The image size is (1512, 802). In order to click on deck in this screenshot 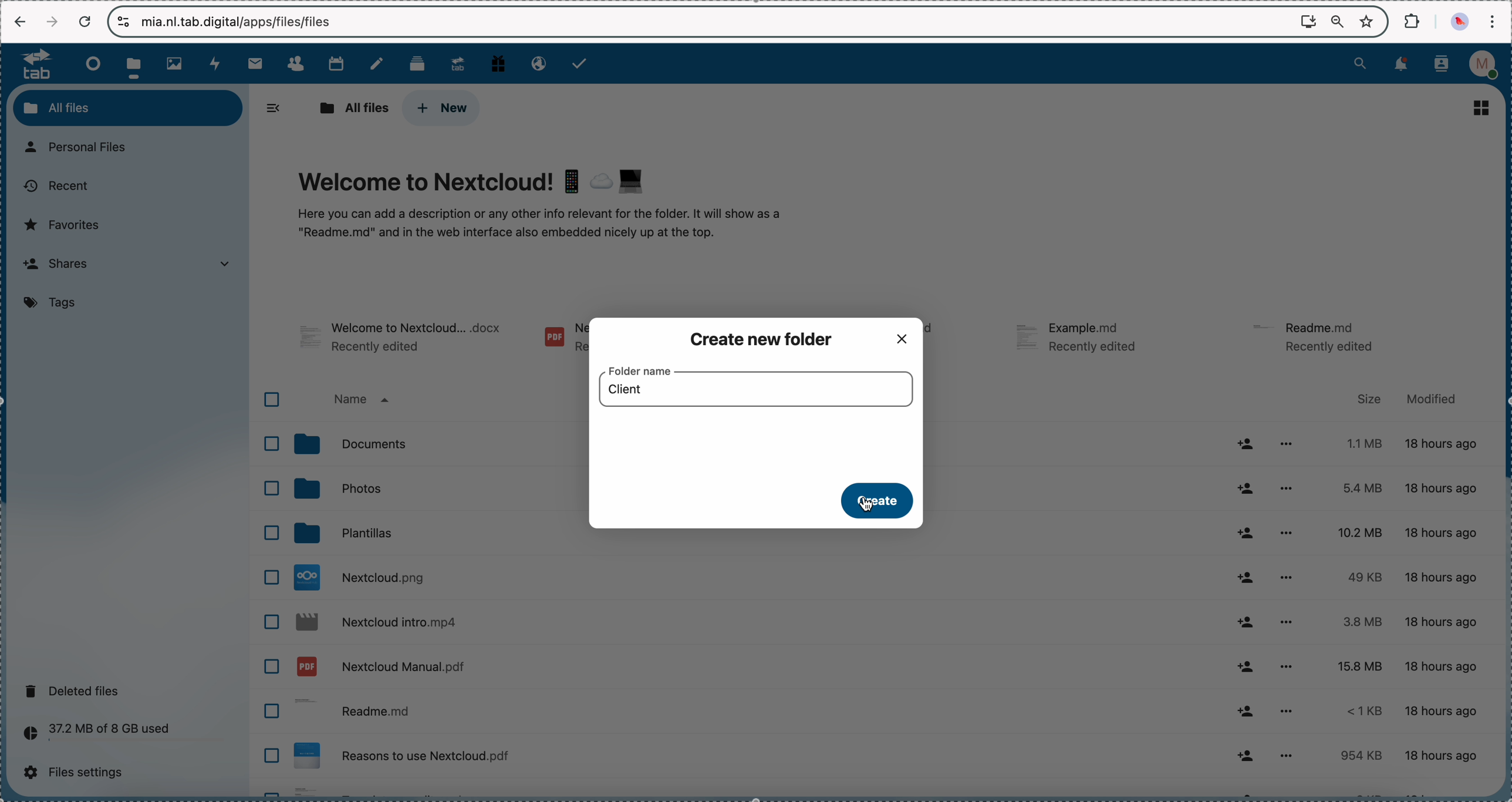, I will do `click(420, 62)`.